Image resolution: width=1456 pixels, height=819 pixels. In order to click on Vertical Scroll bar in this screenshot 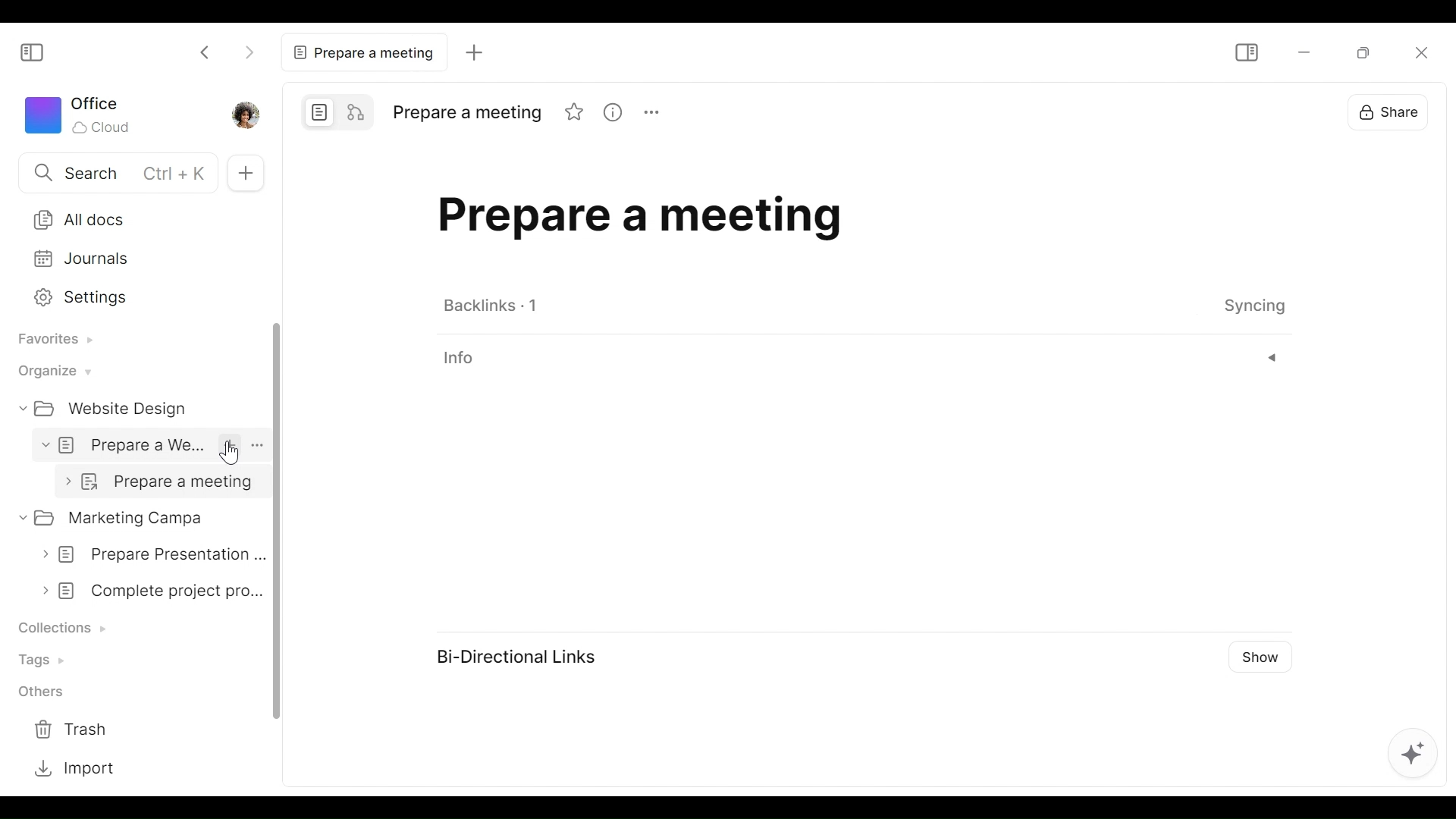, I will do `click(281, 521)`.